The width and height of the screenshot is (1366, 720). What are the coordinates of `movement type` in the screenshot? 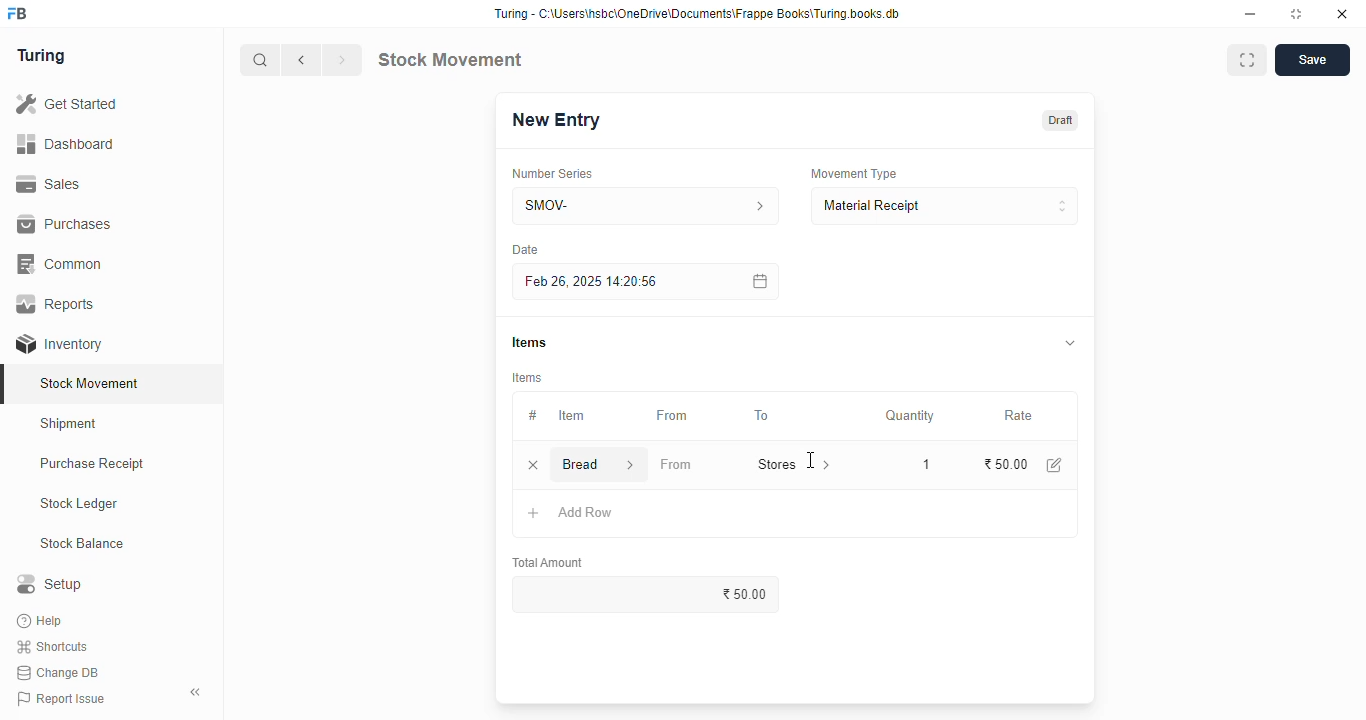 It's located at (853, 173).